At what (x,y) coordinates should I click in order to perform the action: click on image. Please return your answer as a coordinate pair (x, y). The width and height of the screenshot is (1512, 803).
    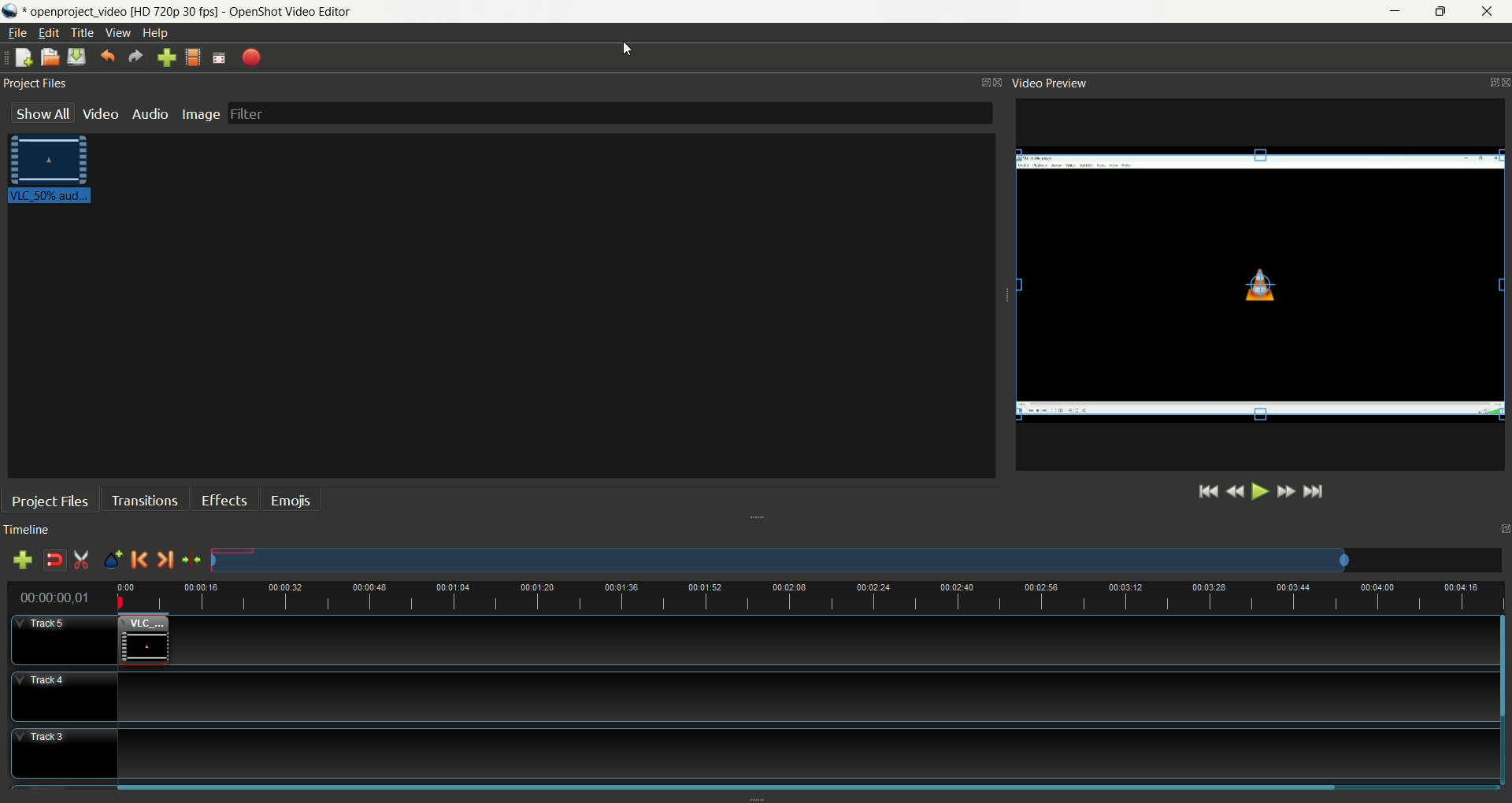
    Looking at the image, I should click on (202, 115).